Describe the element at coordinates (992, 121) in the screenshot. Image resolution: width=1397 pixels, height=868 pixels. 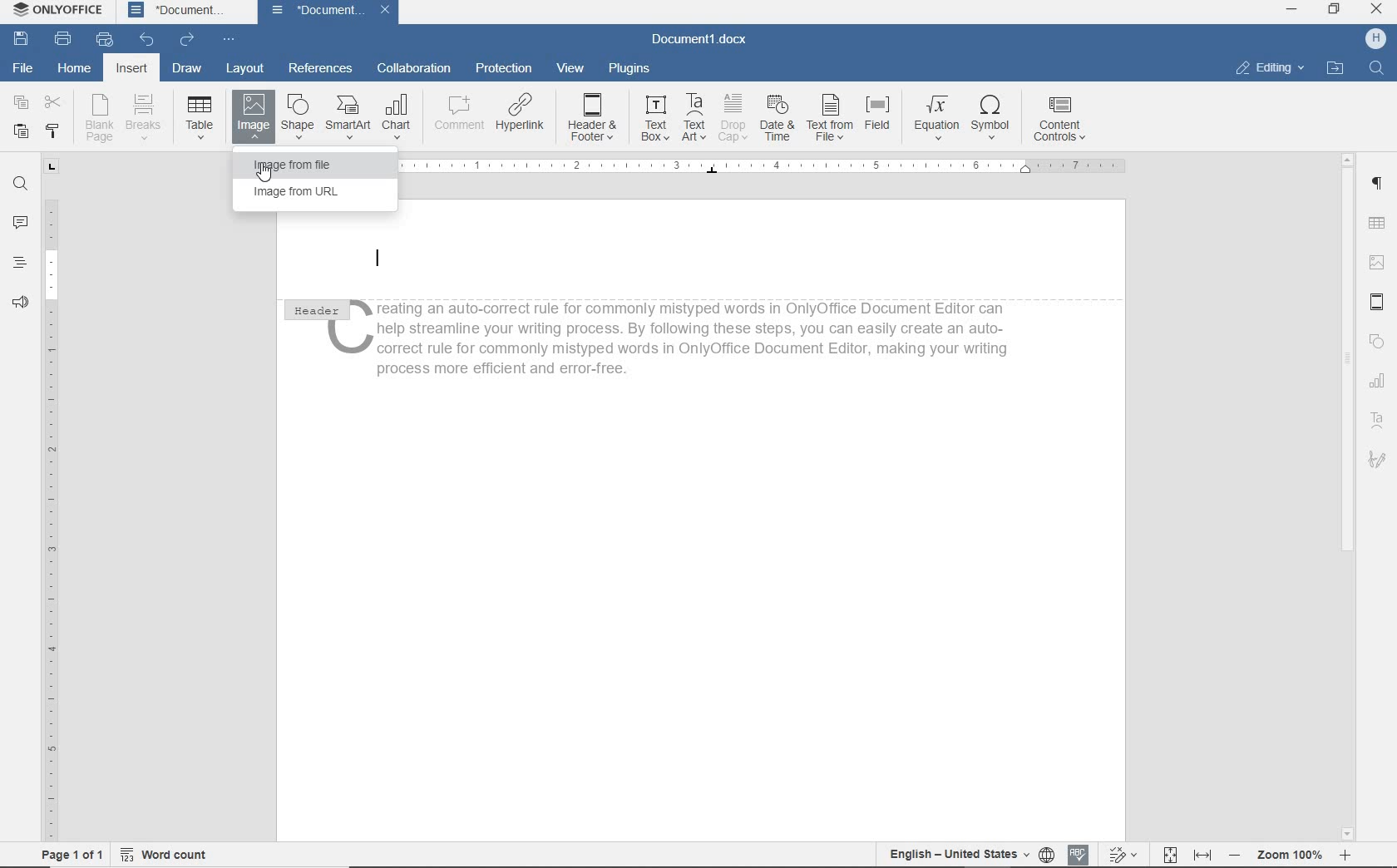
I see `SYMBOL` at that location.